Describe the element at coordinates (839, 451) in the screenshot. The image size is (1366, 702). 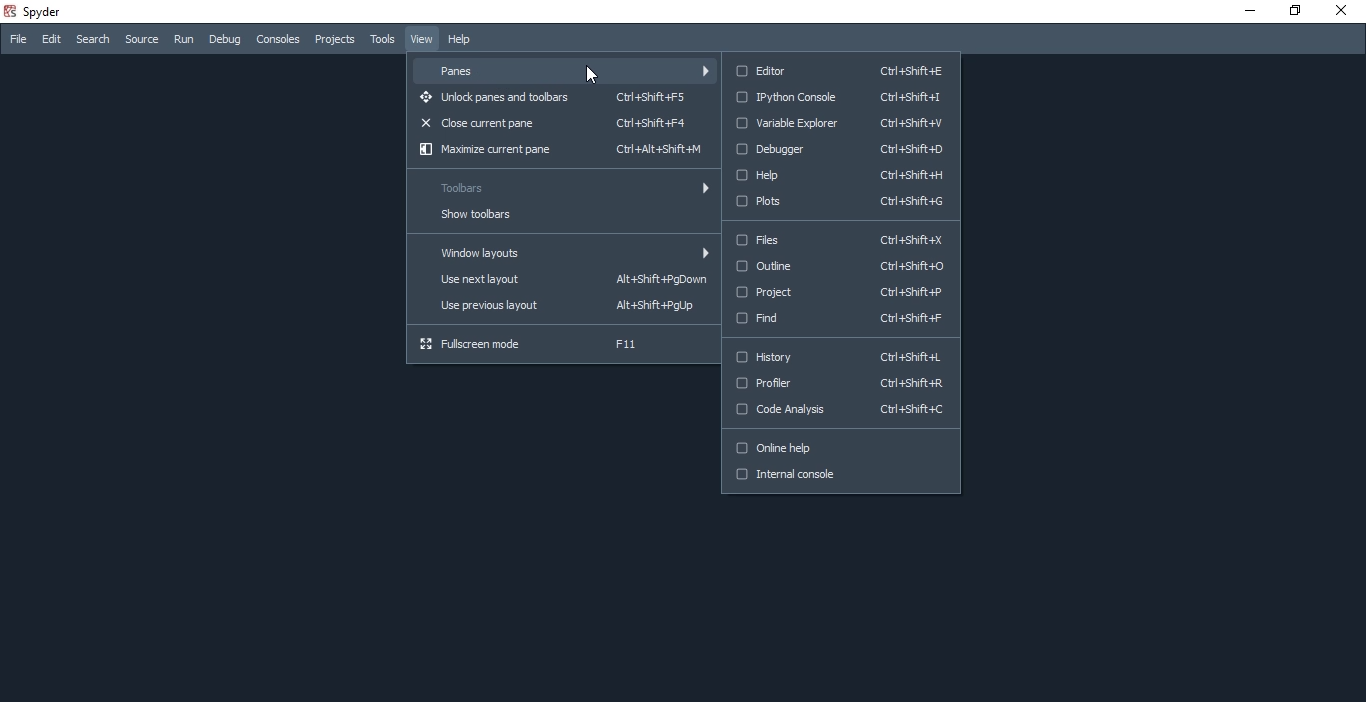
I see `Online help` at that location.